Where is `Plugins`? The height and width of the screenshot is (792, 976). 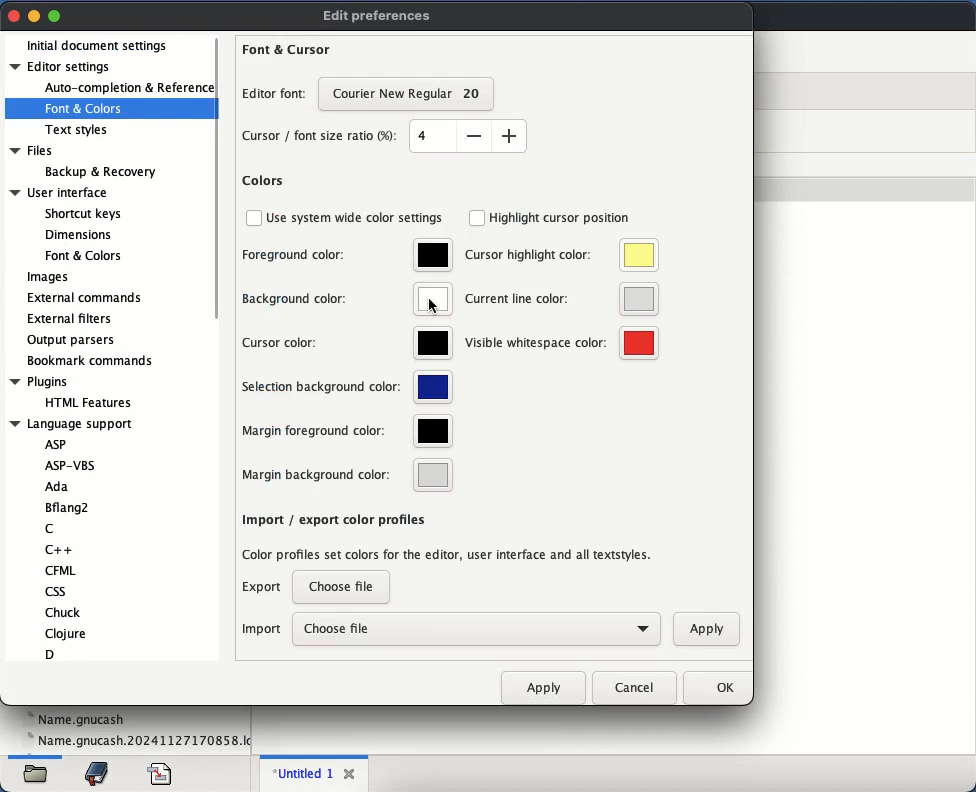
Plugins is located at coordinates (40, 381).